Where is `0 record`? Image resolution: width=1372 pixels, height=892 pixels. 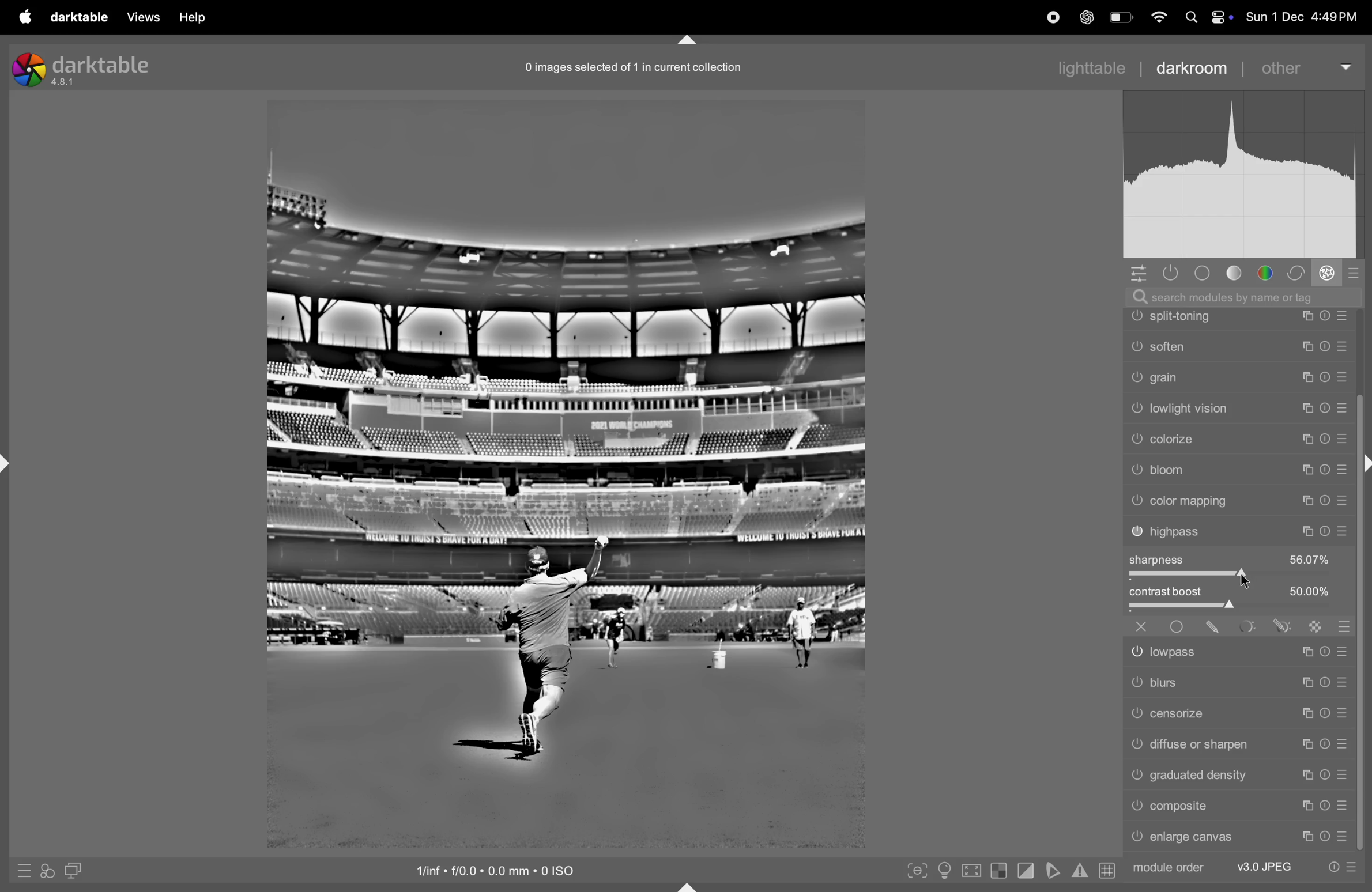
0 record is located at coordinates (636, 66).